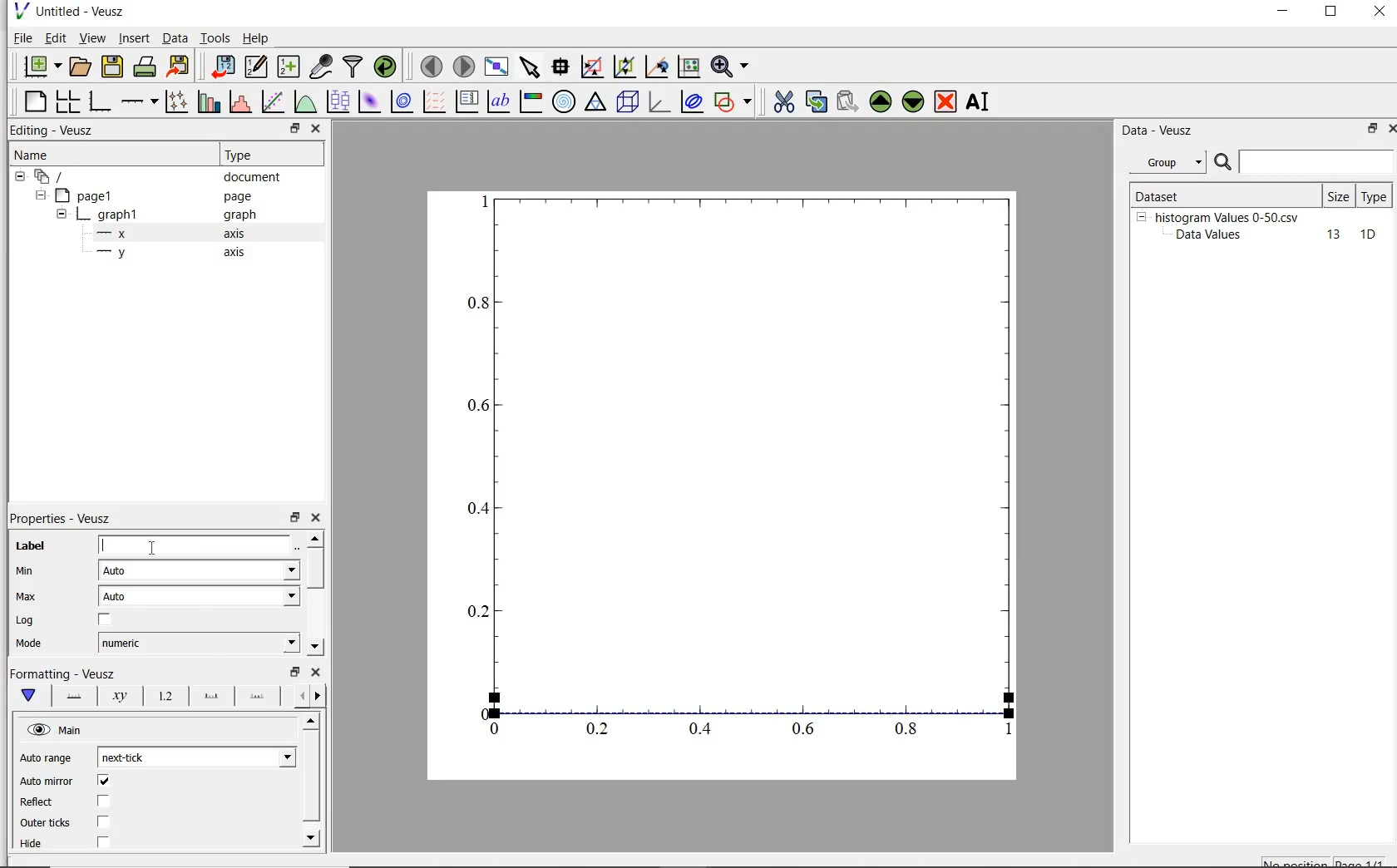  What do you see at coordinates (1141, 216) in the screenshot?
I see `hide` at bounding box center [1141, 216].